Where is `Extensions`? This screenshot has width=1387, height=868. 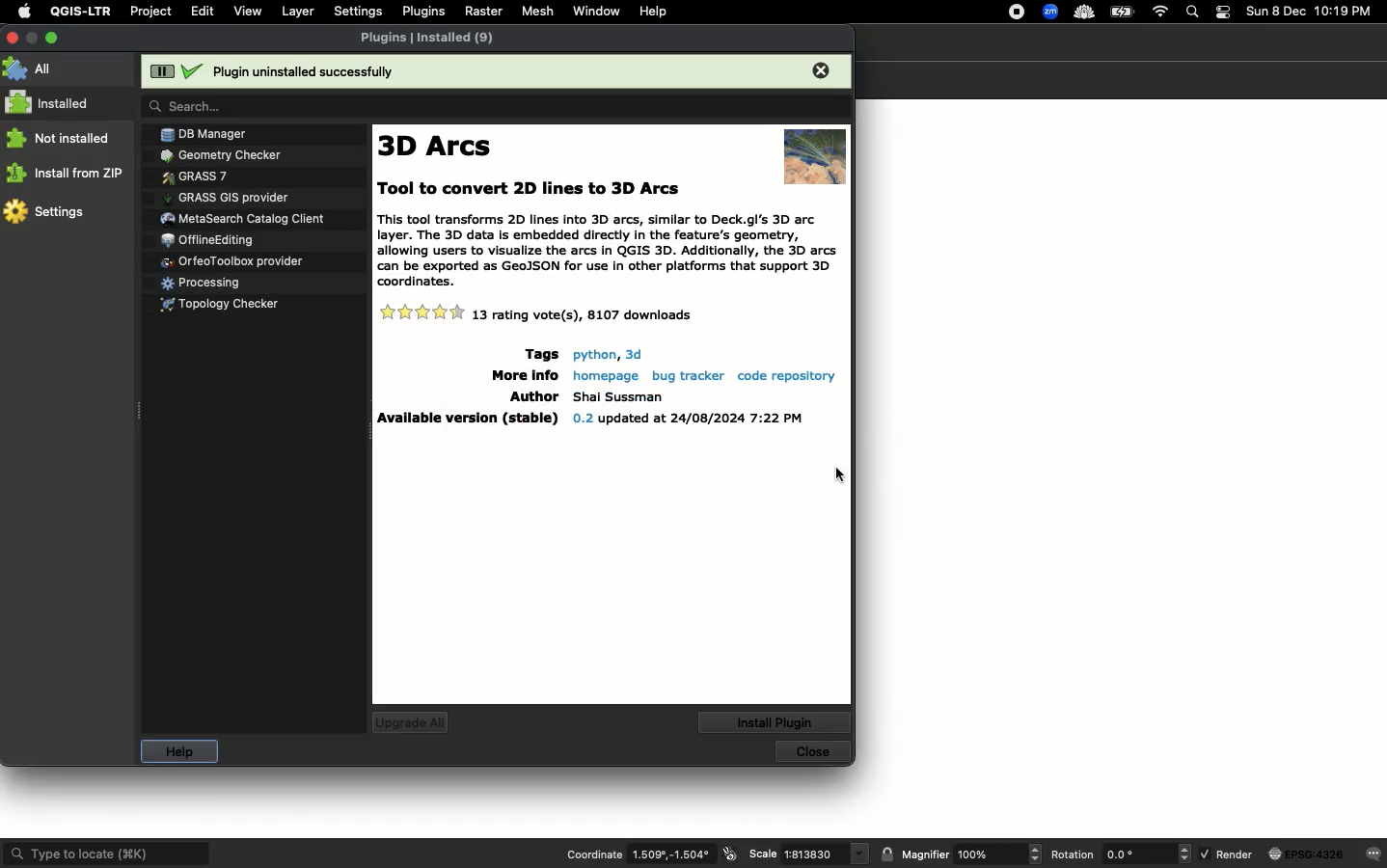
Extensions is located at coordinates (1069, 12).